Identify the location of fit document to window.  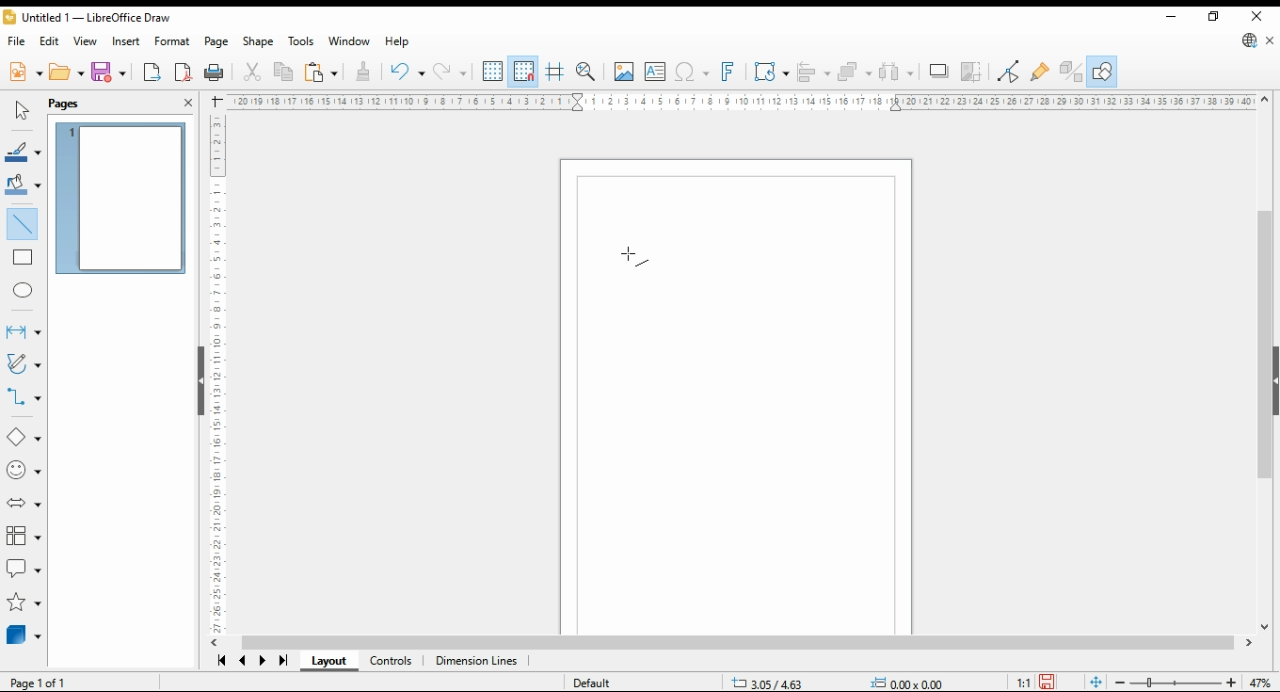
(1095, 681).